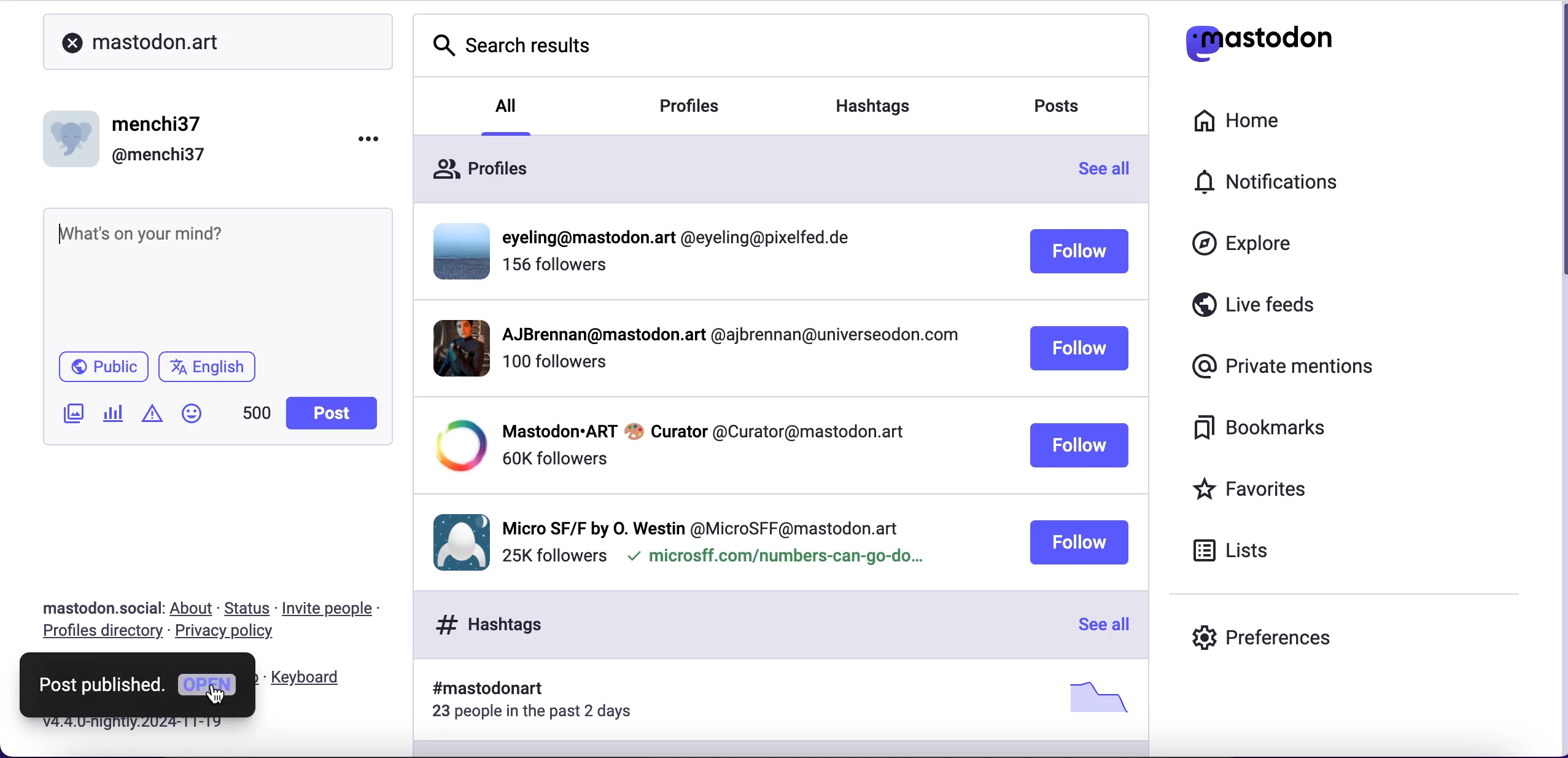  Describe the element at coordinates (873, 107) in the screenshot. I see `hashtags` at that location.